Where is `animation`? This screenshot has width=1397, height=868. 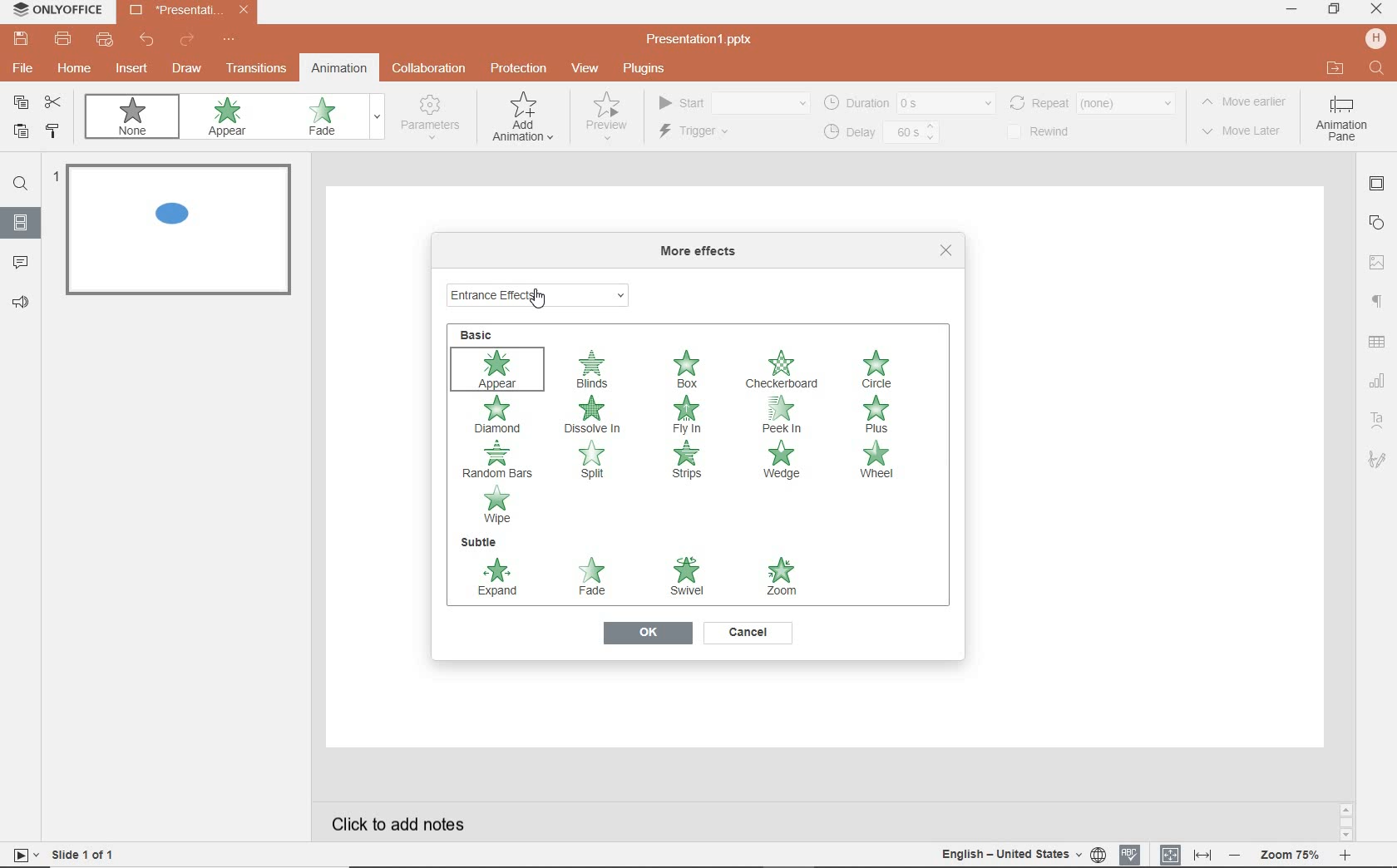 animation is located at coordinates (338, 67).